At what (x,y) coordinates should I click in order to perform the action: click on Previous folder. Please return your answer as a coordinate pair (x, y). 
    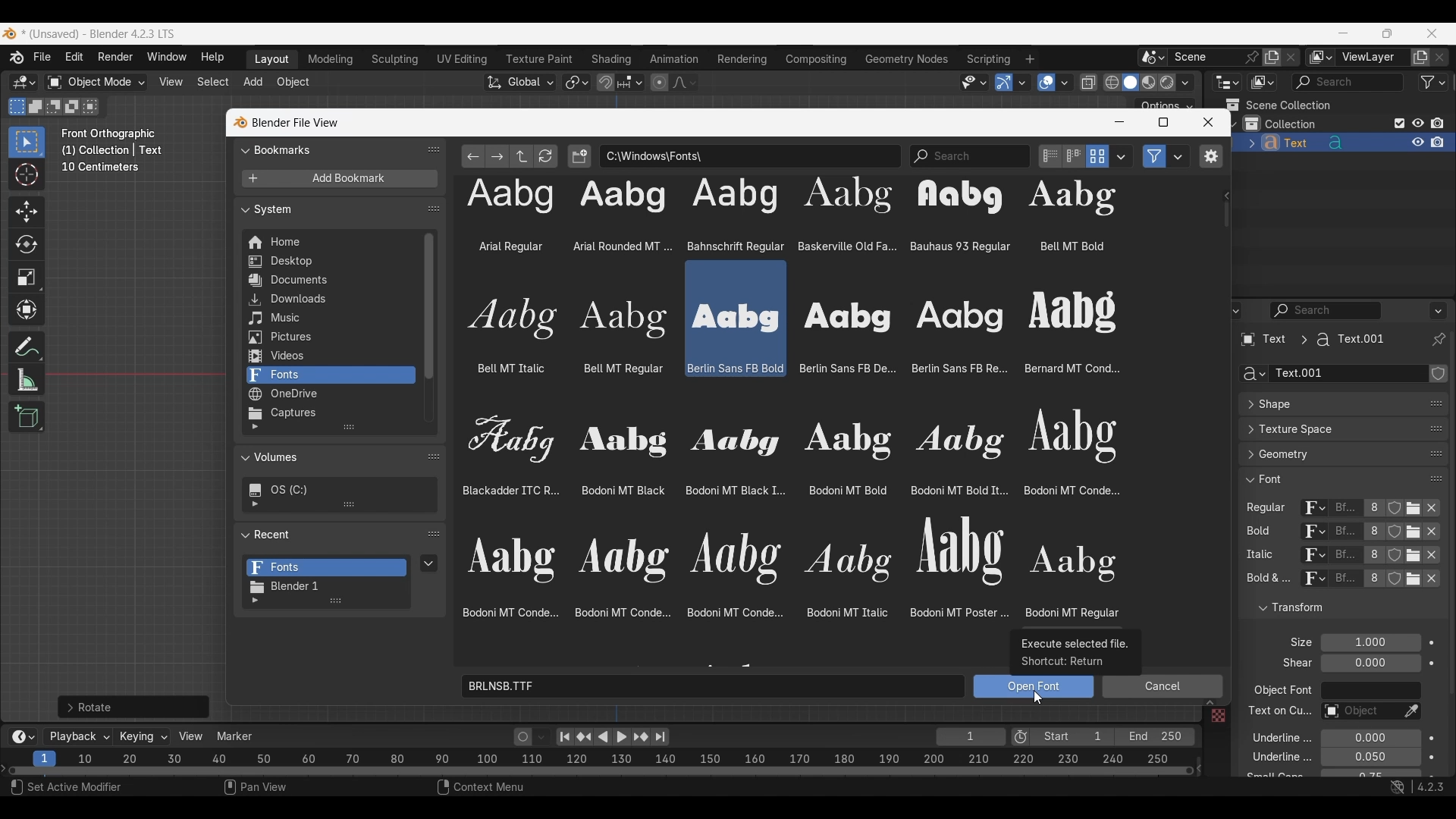
    Looking at the image, I should click on (474, 156).